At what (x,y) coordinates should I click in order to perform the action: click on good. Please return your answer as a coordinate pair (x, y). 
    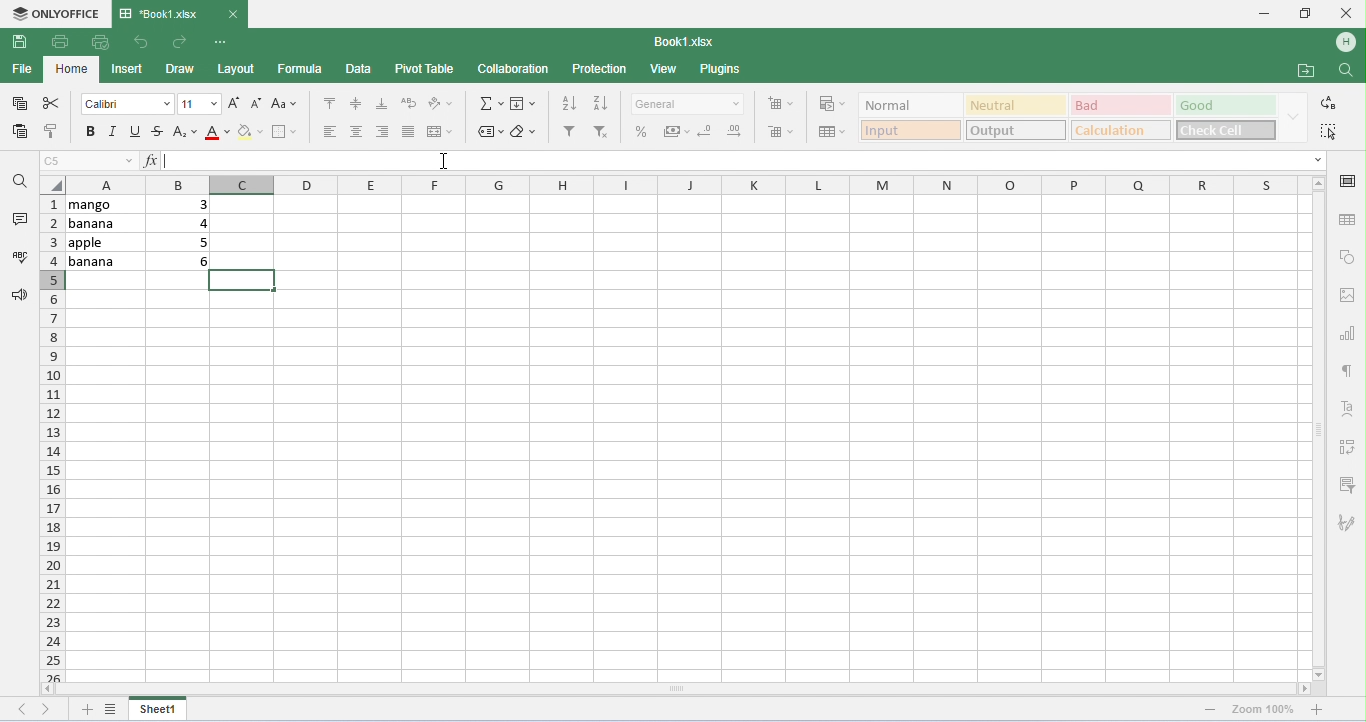
    Looking at the image, I should click on (1223, 106).